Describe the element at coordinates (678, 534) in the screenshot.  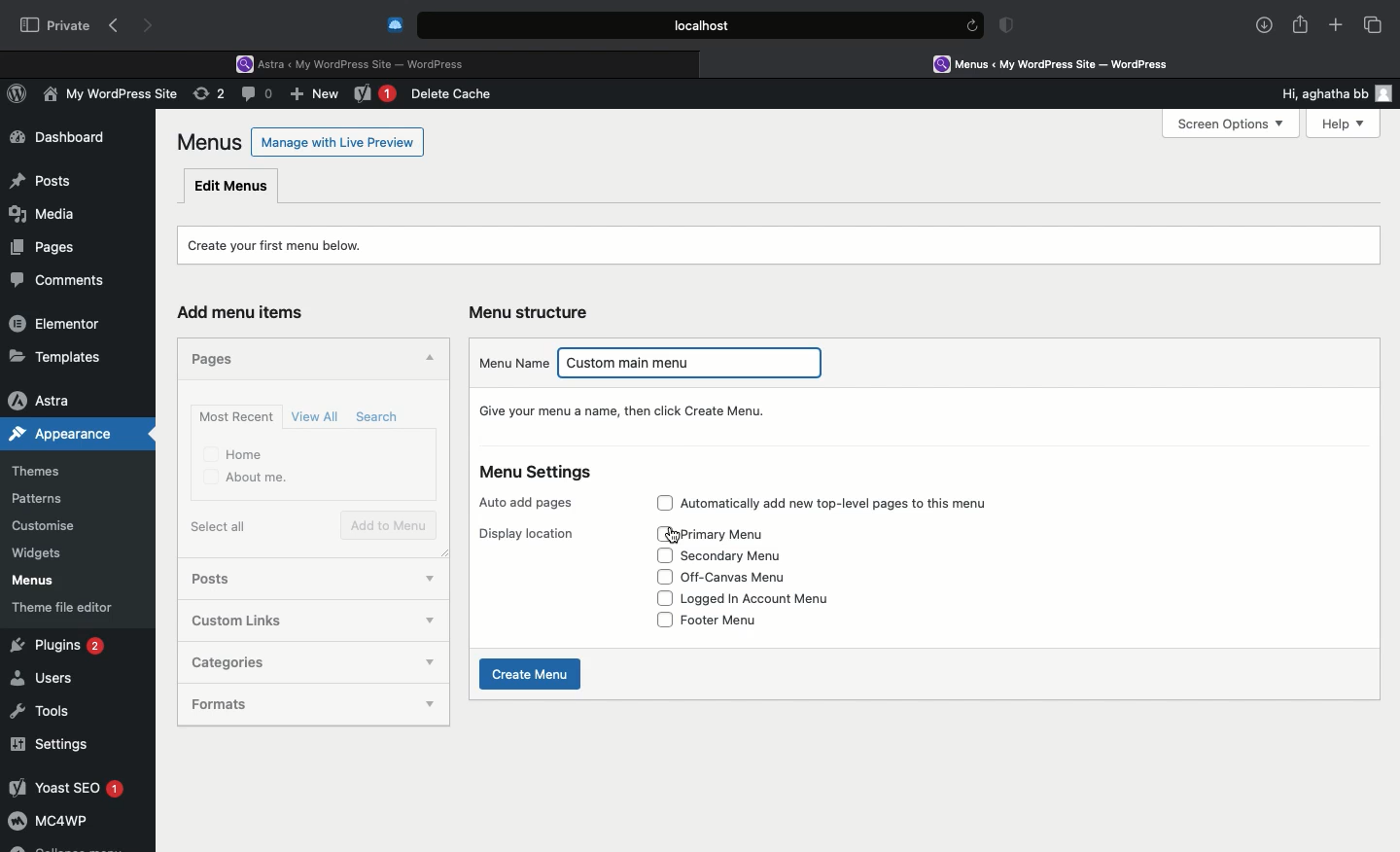
I see `cursor` at that location.